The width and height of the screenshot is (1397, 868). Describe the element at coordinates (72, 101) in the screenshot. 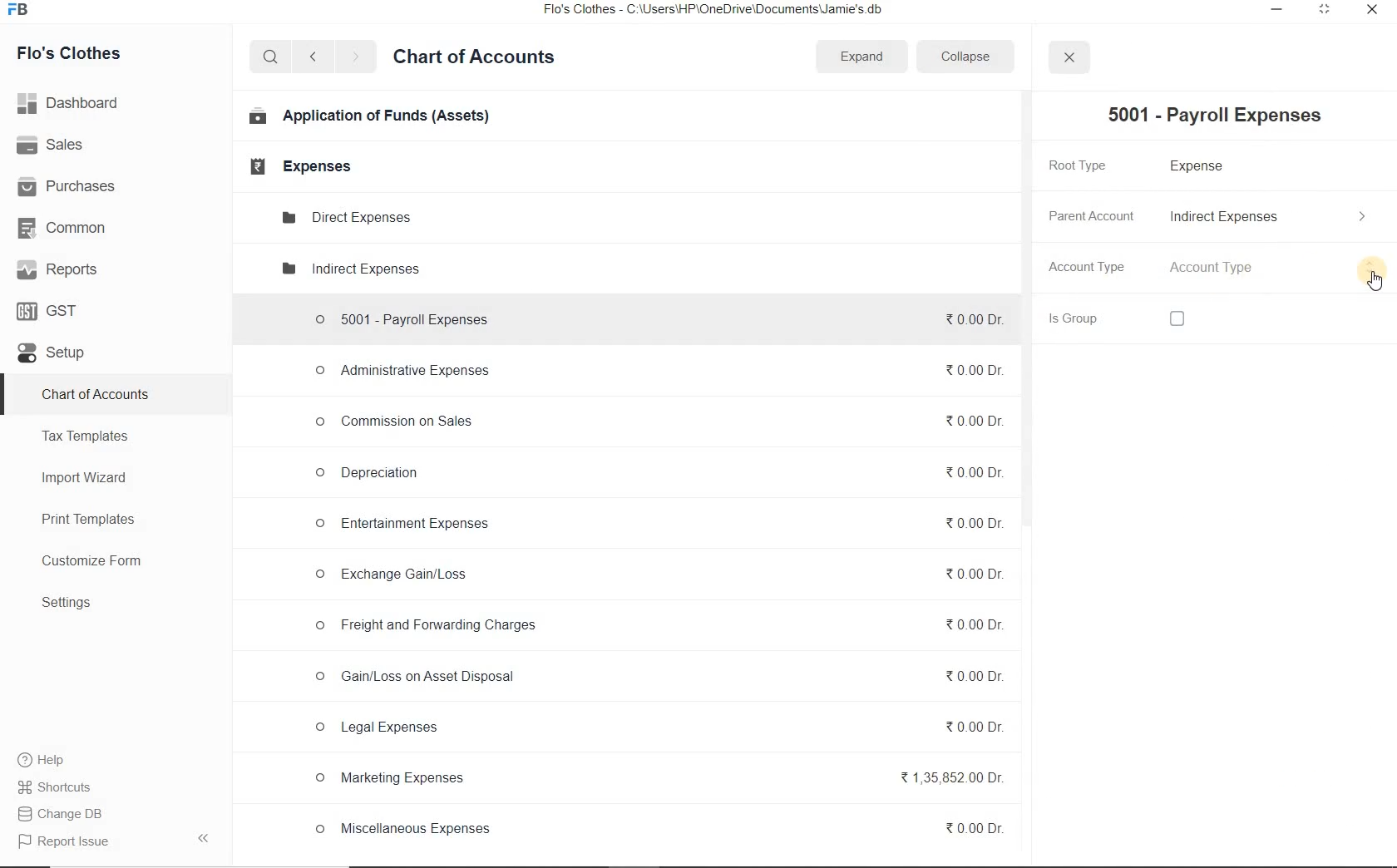

I see `Dashboard` at that location.